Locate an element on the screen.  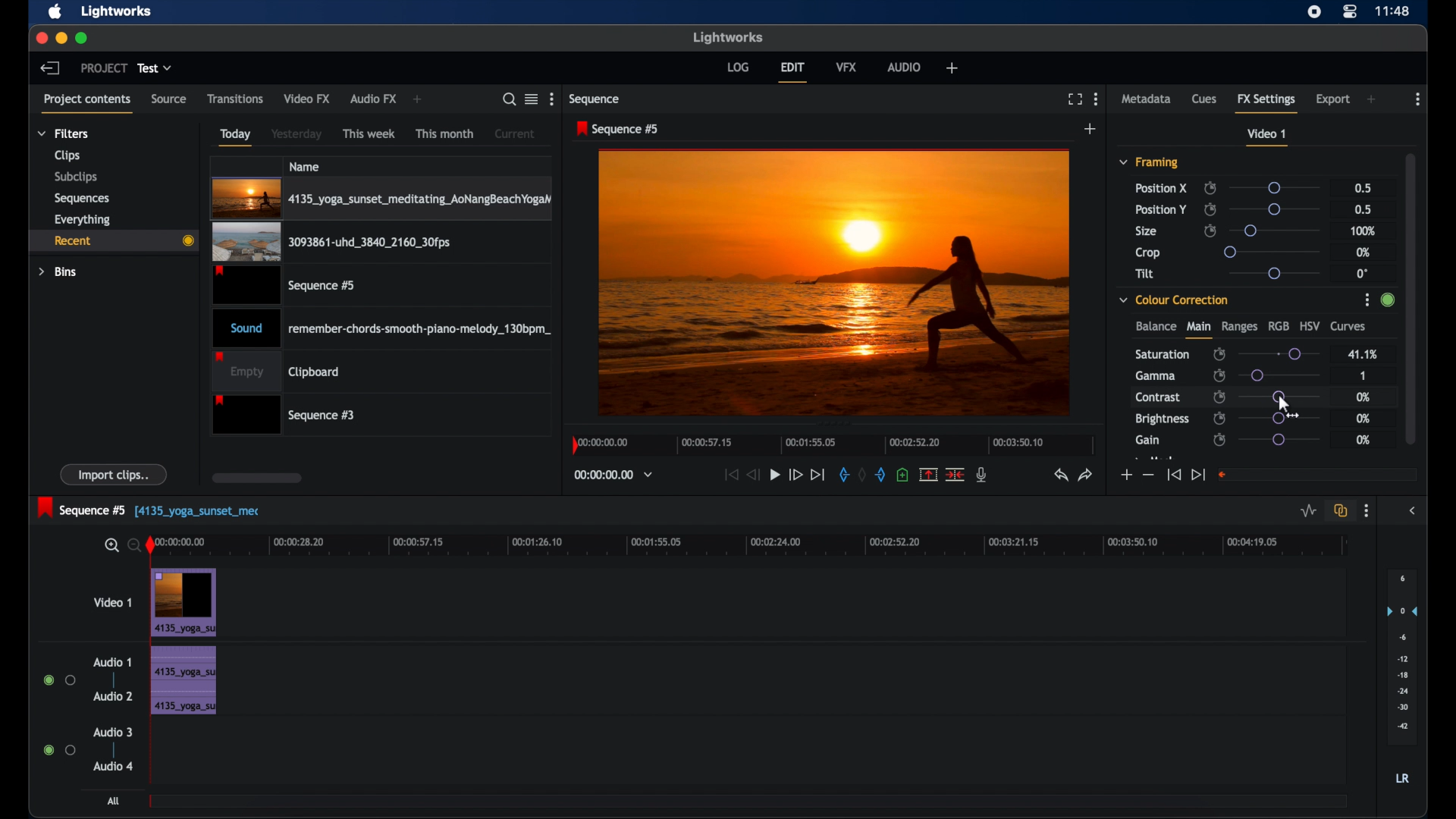
scroll box is located at coordinates (1411, 297).